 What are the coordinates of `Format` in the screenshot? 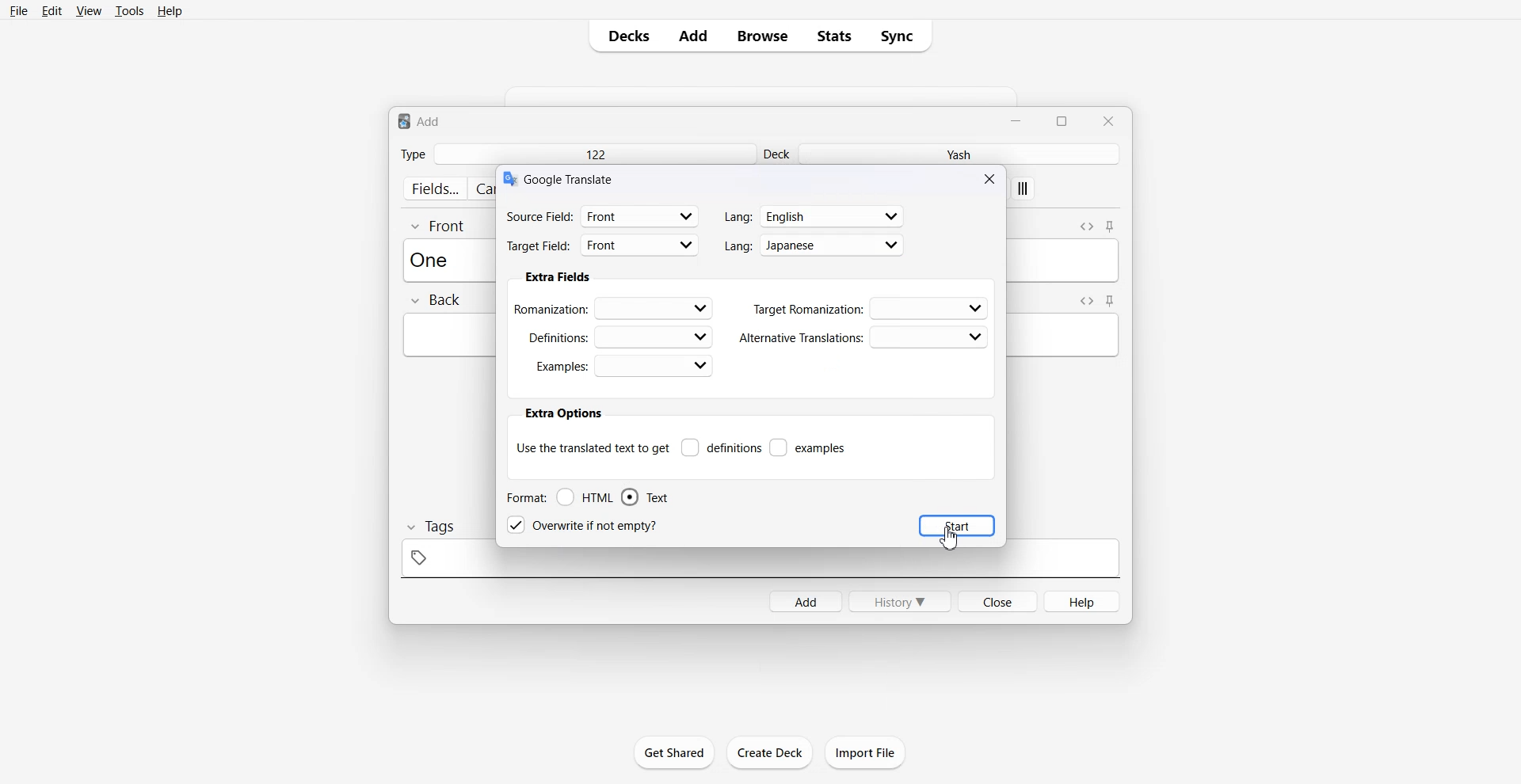 It's located at (525, 497).